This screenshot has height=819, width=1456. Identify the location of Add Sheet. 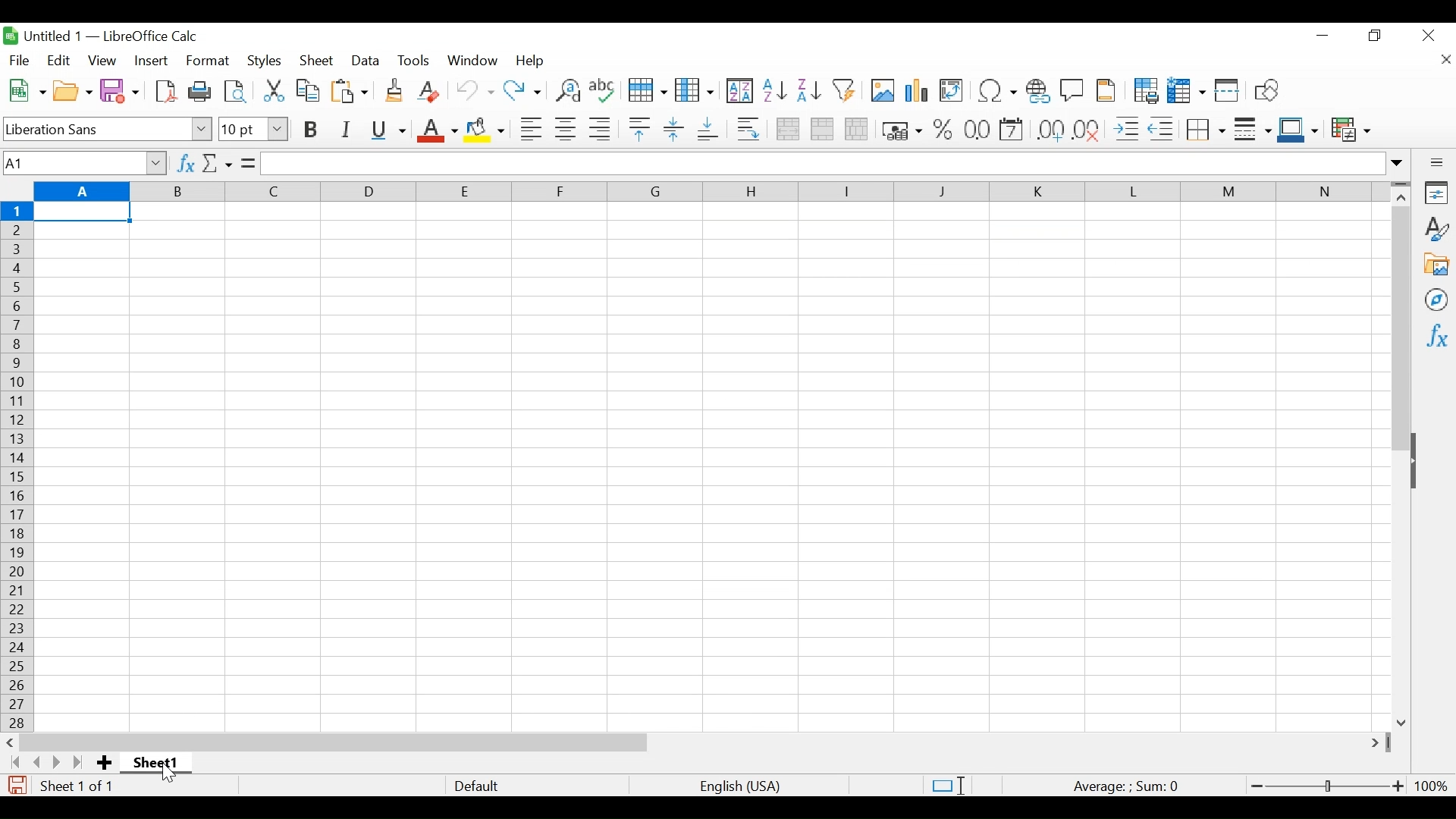
(106, 762).